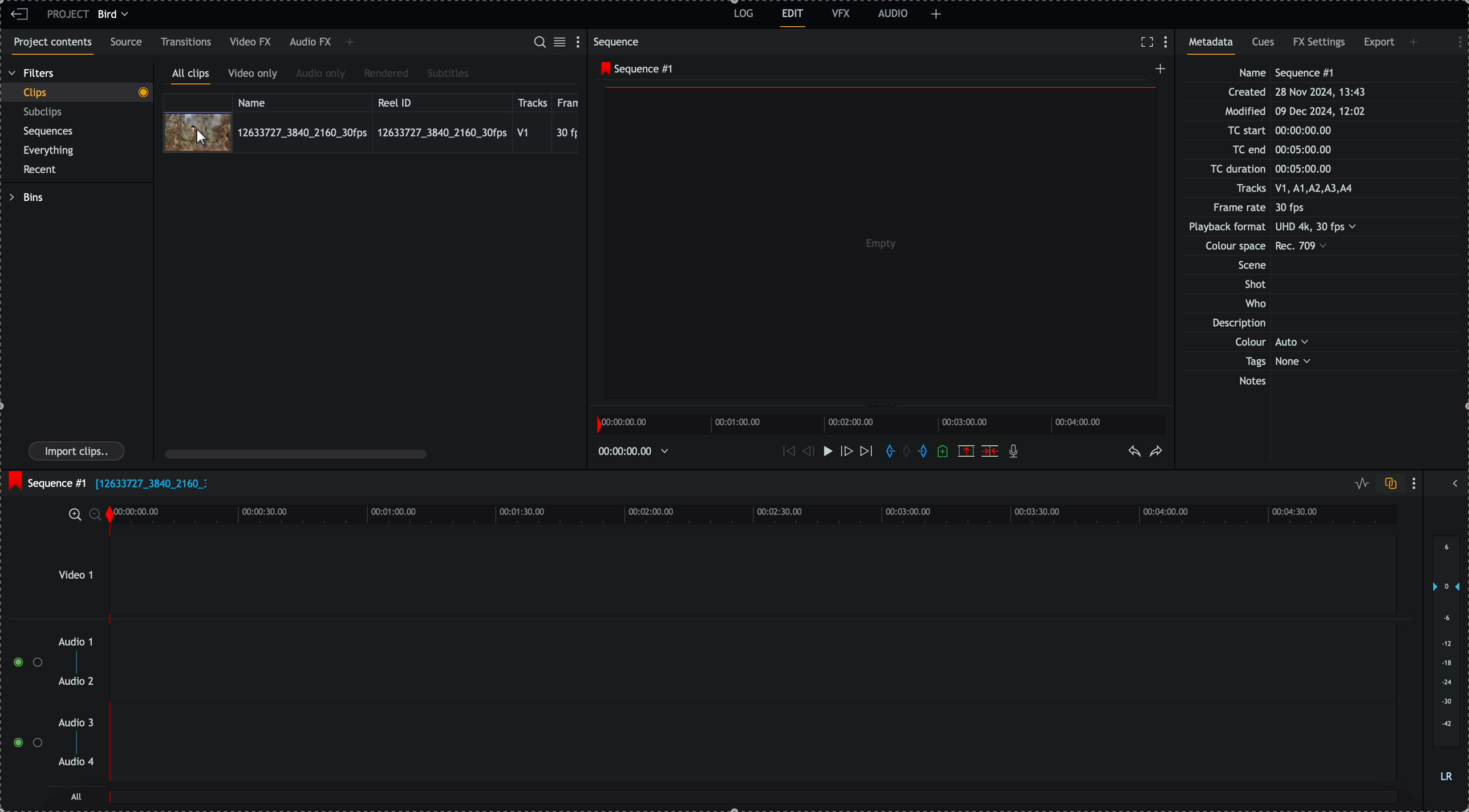  I want to click on leave, so click(19, 15).